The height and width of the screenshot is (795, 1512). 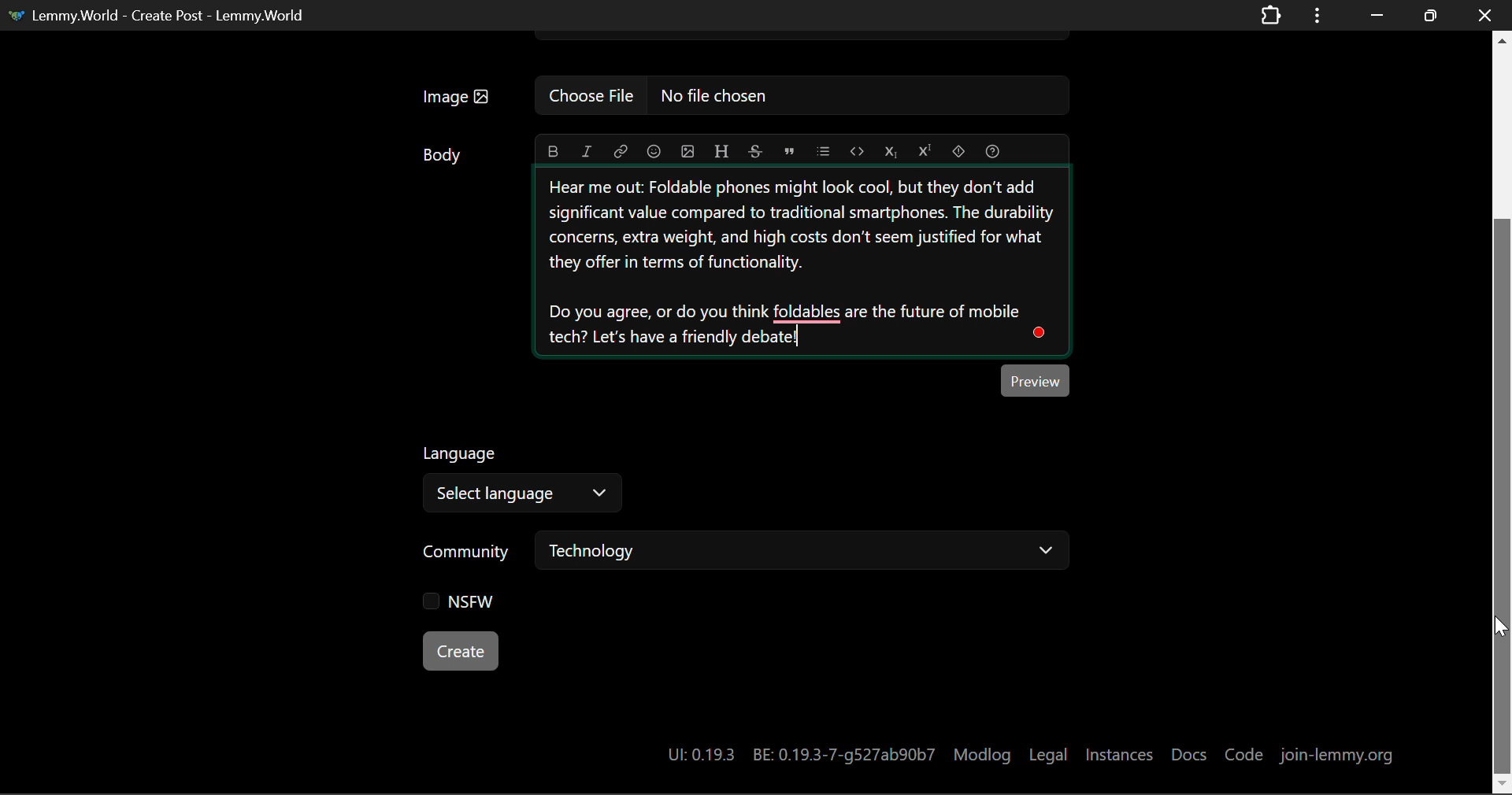 I want to click on header, so click(x=723, y=151).